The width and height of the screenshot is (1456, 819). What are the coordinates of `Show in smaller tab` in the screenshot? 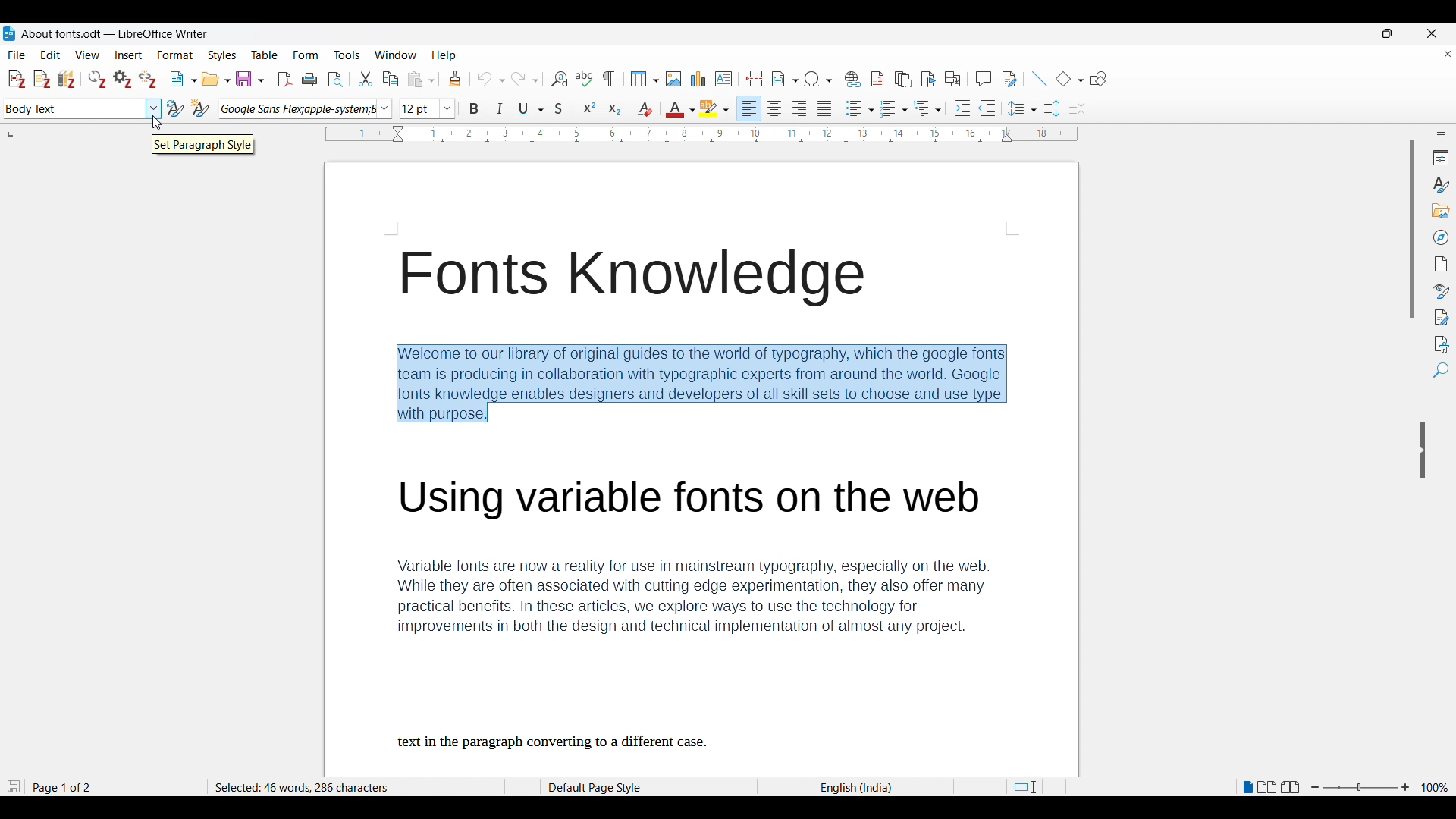 It's located at (1388, 33).